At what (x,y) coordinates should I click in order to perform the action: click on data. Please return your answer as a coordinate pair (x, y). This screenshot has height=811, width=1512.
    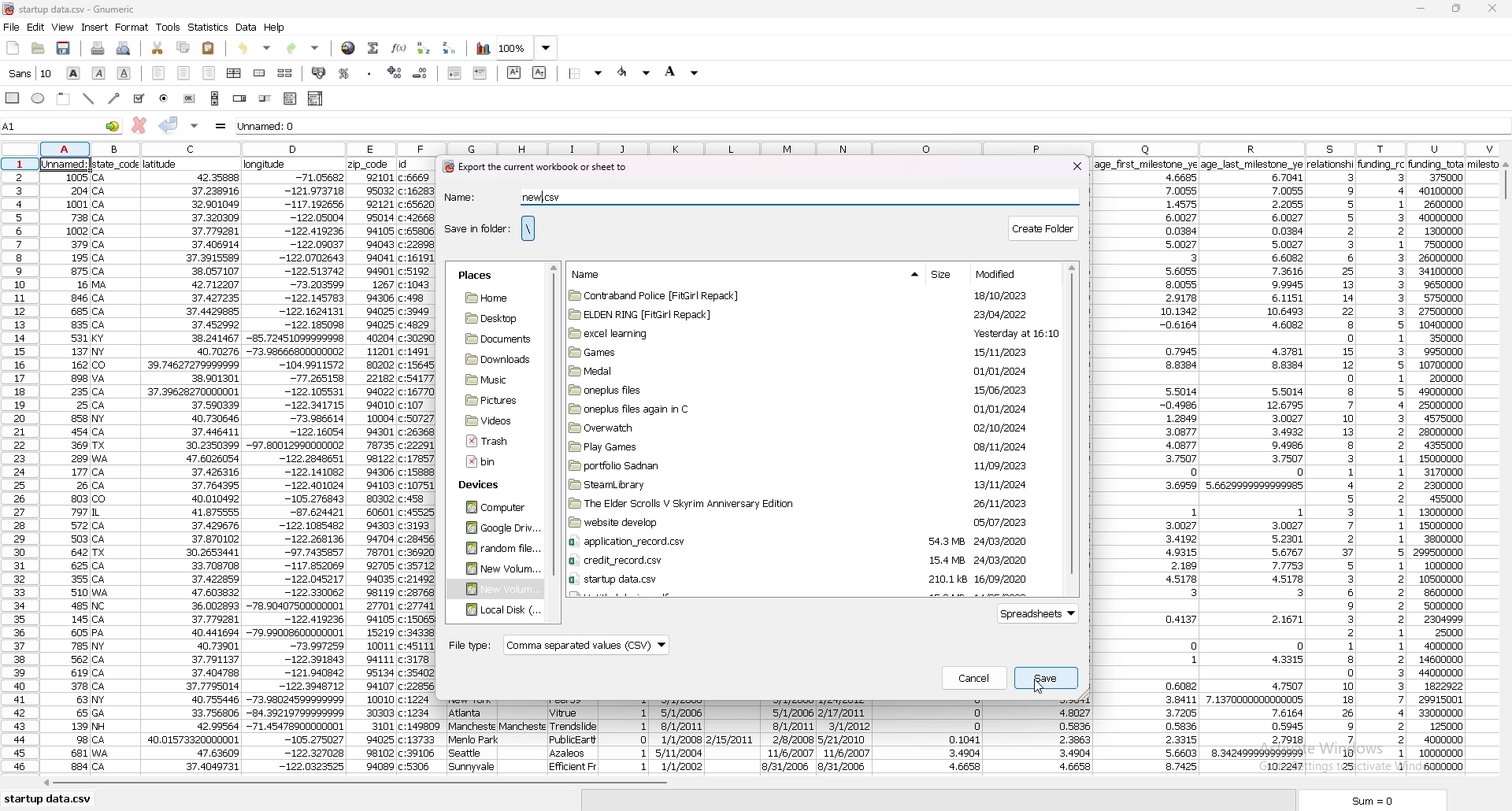
    Looking at the image, I should click on (790, 736).